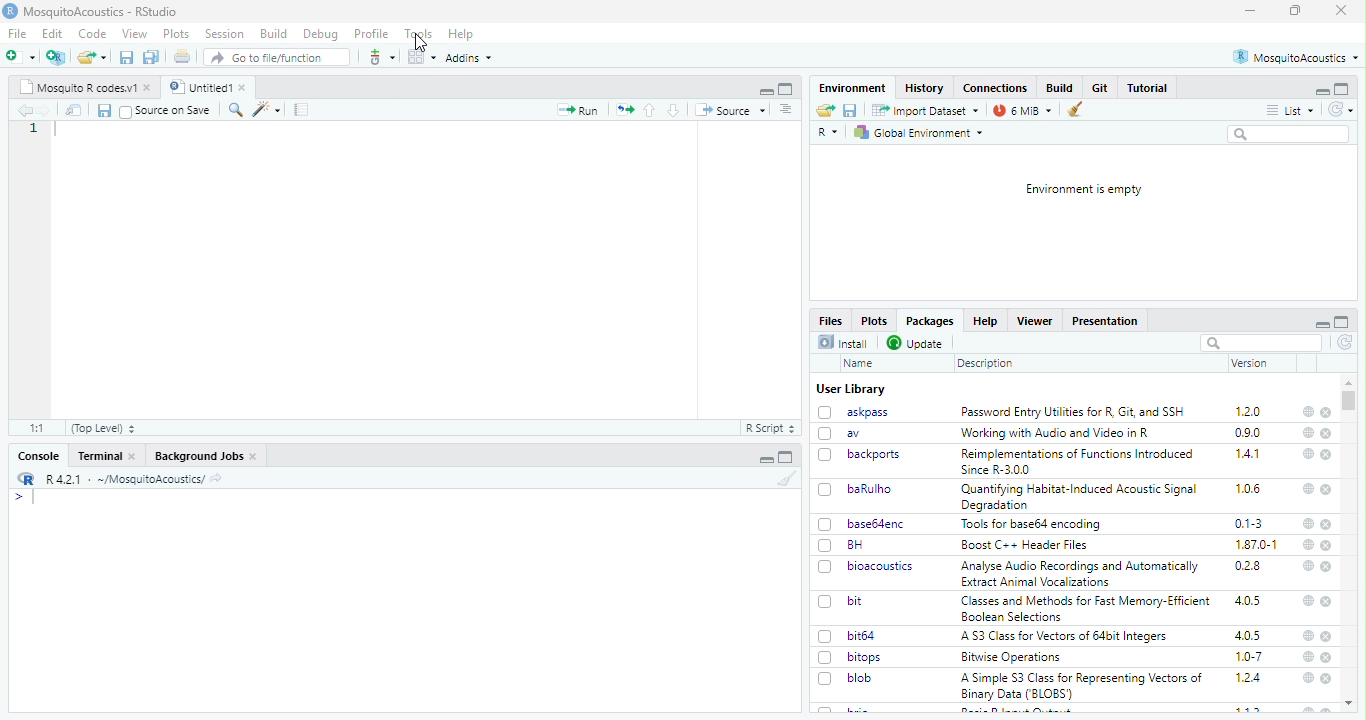 This screenshot has height=720, width=1366. What do you see at coordinates (1013, 658) in the screenshot?
I see `Bitwise Operations` at bounding box center [1013, 658].